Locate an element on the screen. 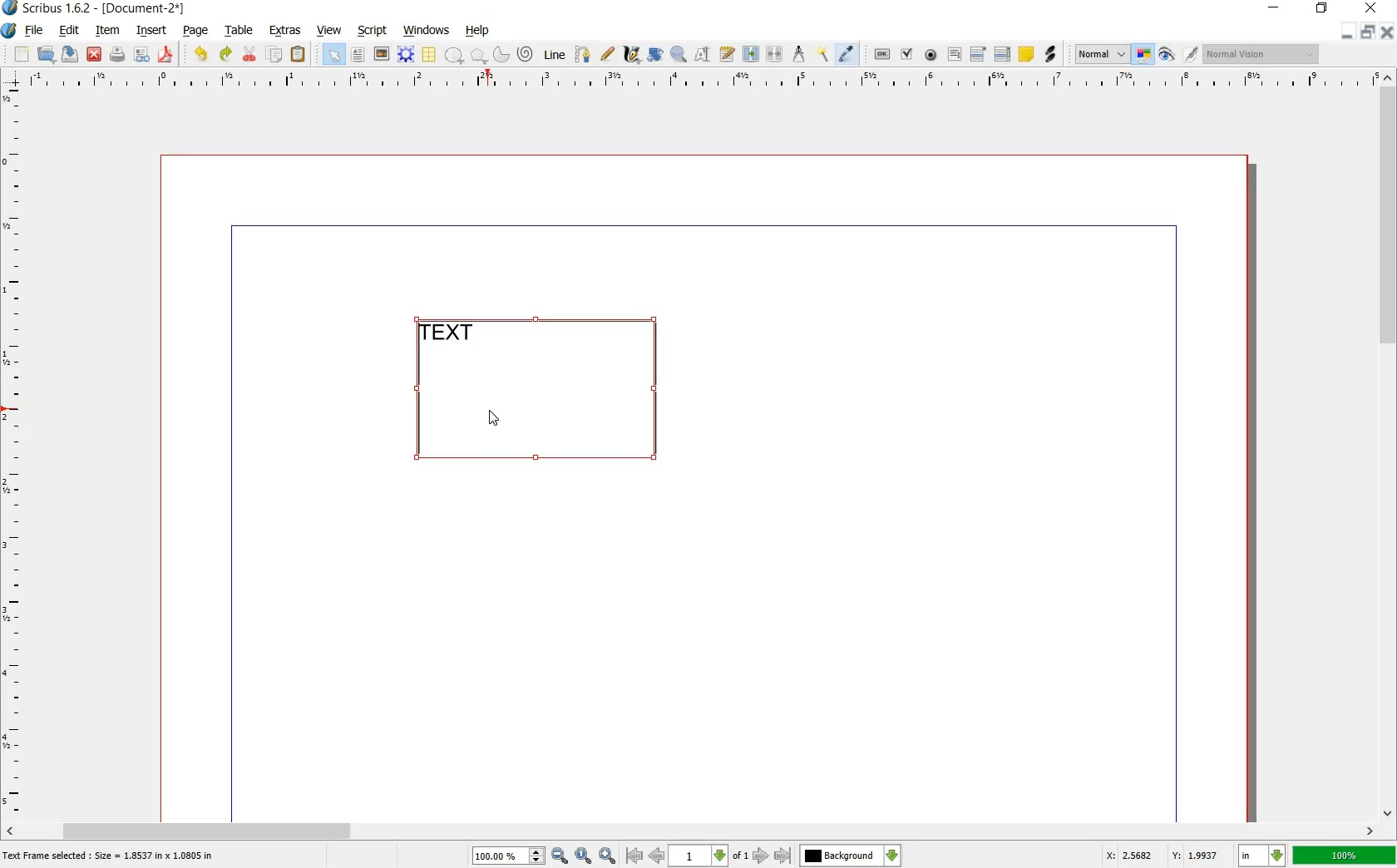 Image resolution: width=1397 pixels, height=868 pixels. file is located at coordinates (37, 31).